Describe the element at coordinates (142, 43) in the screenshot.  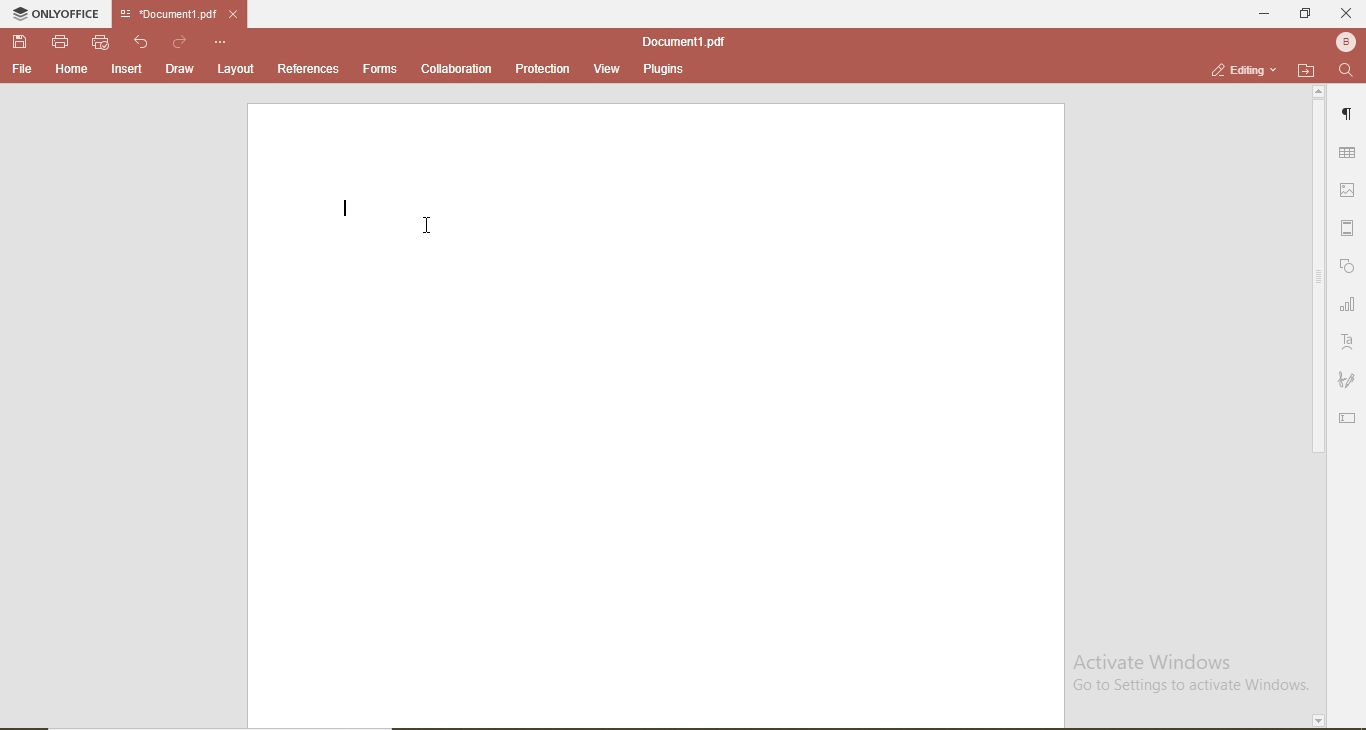
I see `undo` at that location.